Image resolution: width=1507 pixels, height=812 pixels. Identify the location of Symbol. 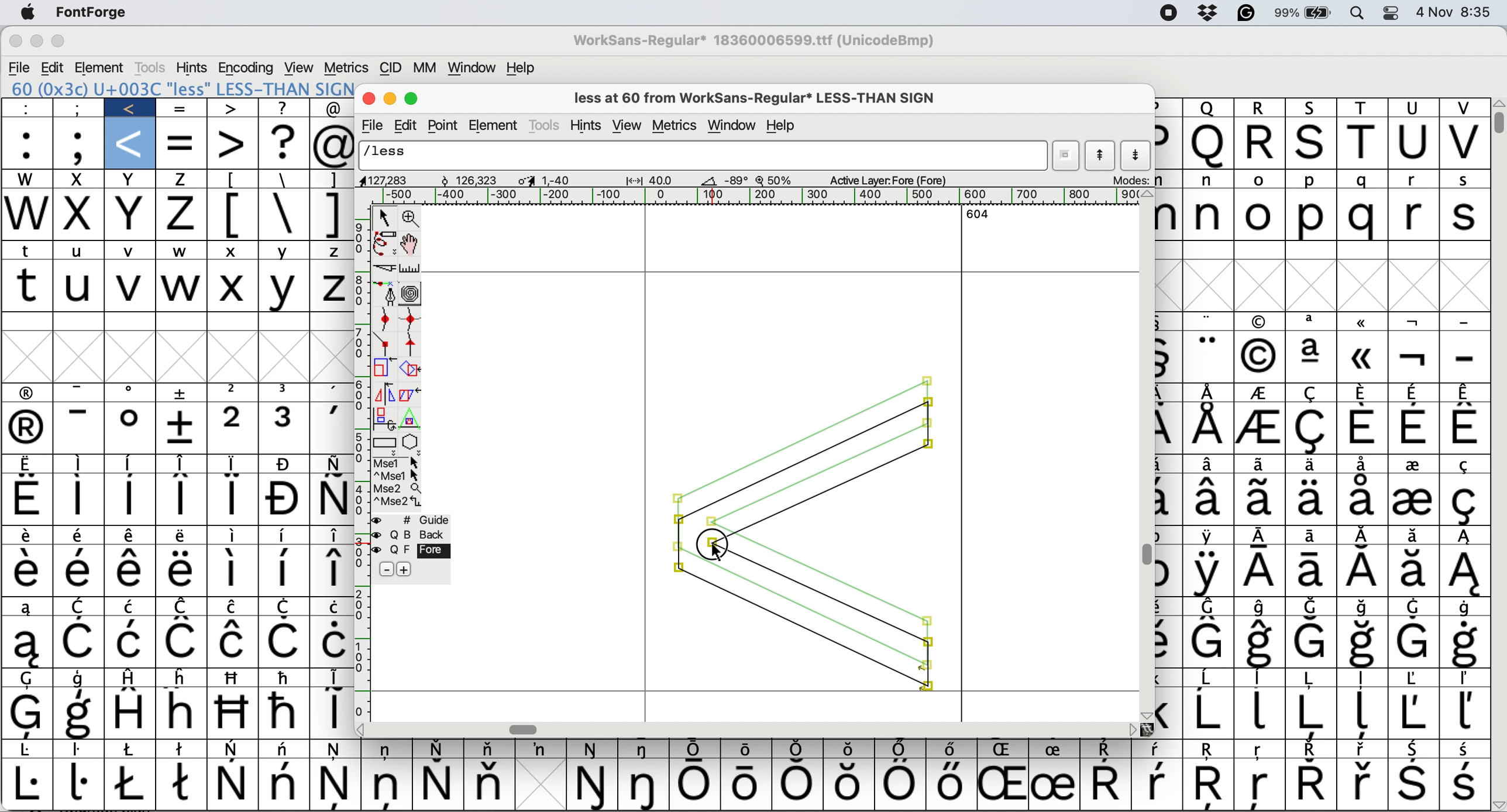
(1312, 323).